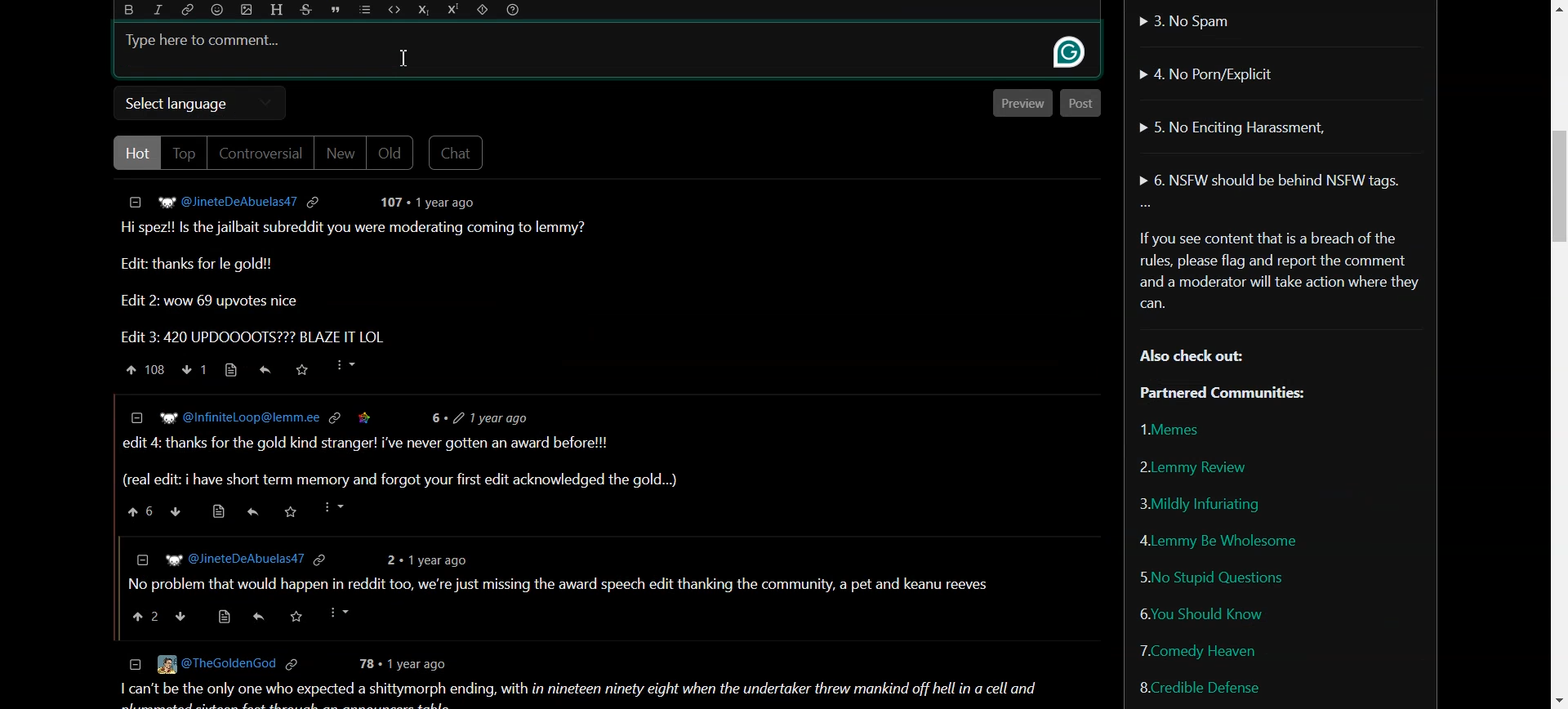  I want to click on Italic, so click(158, 11).